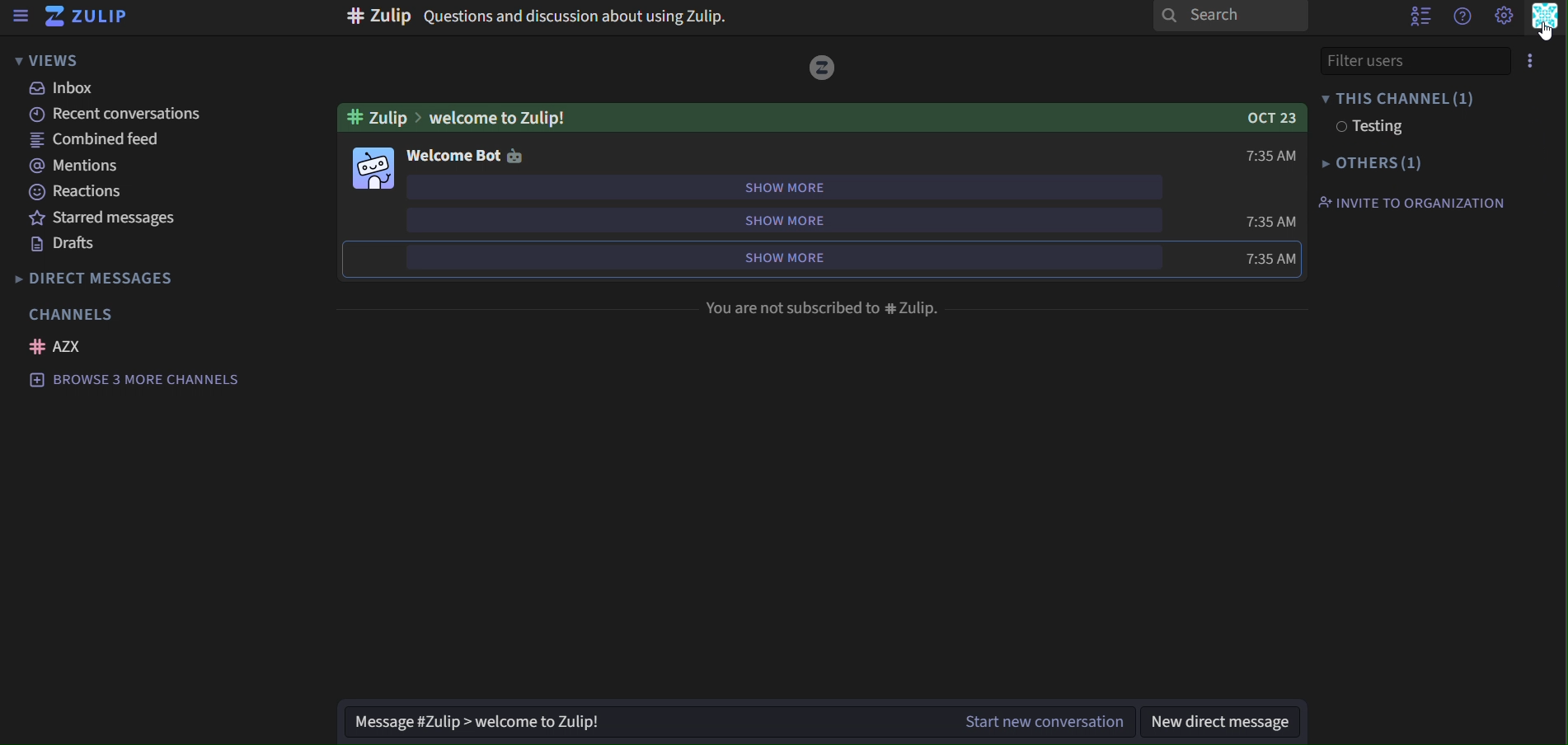 This screenshot has height=745, width=1568. What do you see at coordinates (1036, 721) in the screenshot?
I see `start new conversation` at bounding box center [1036, 721].